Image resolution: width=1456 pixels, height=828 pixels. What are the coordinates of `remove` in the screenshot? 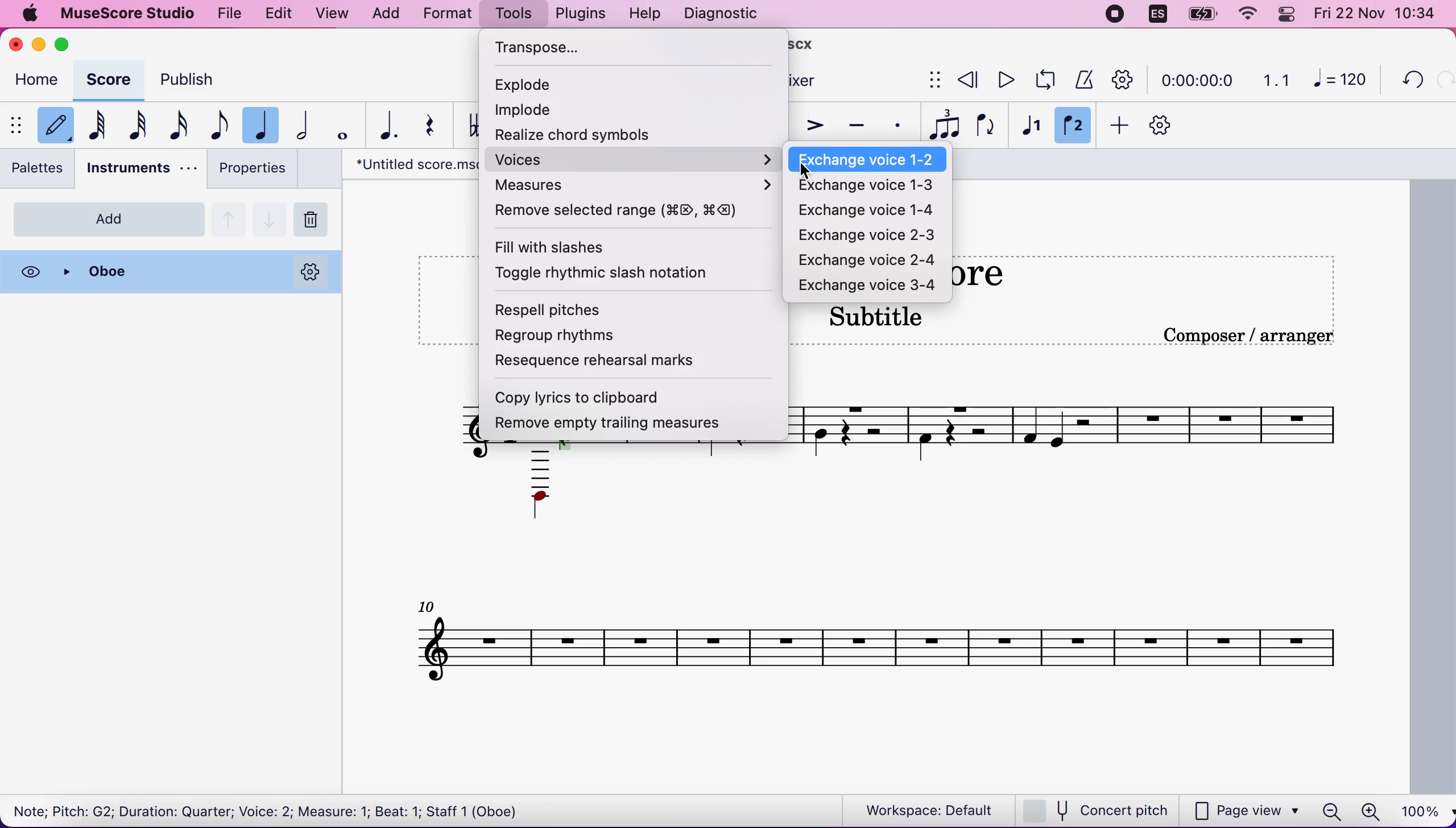 It's located at (315, 218).